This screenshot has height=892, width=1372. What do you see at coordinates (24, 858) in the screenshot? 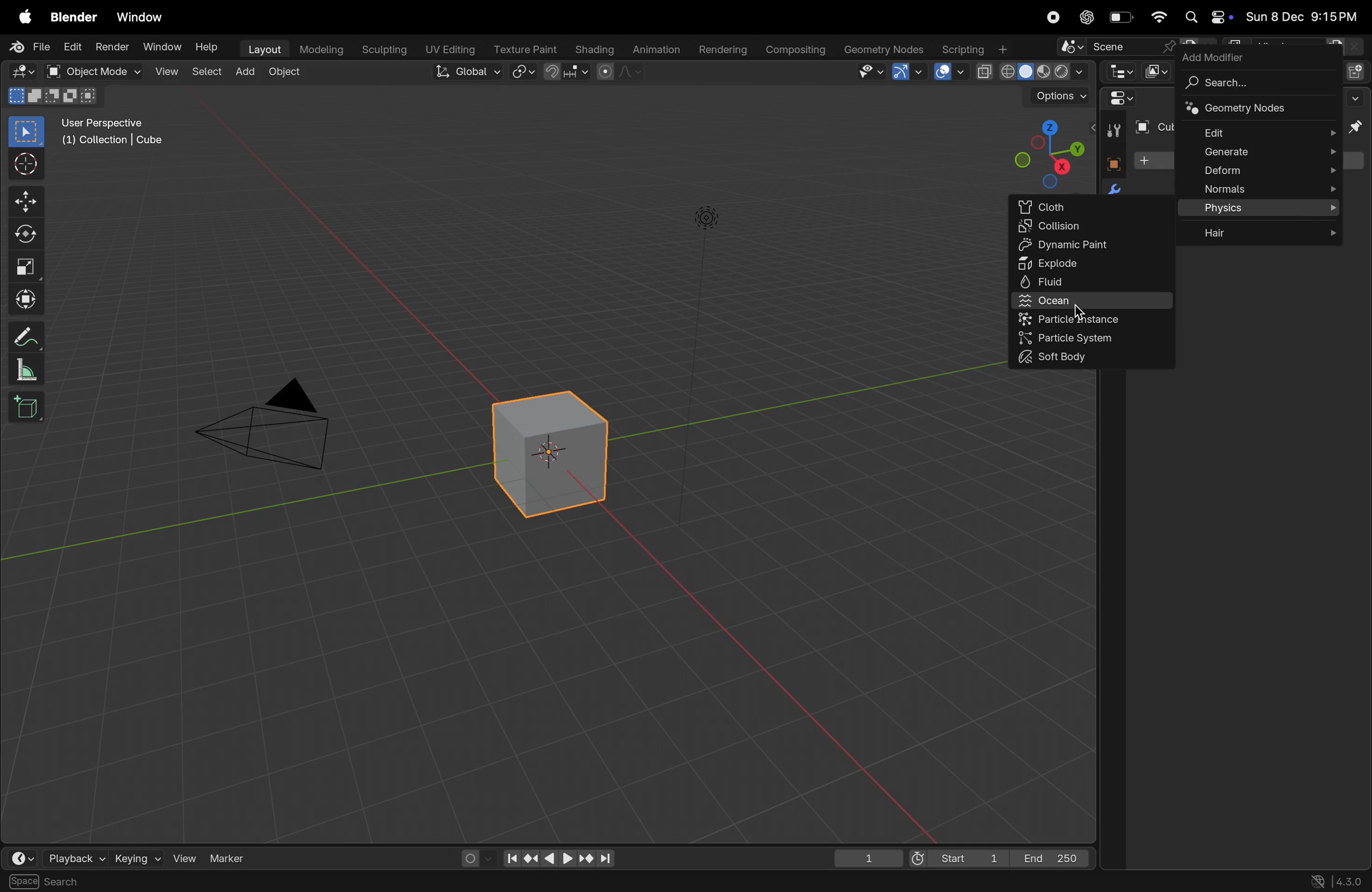
I see `editor type` at bounding box center [24, 858].